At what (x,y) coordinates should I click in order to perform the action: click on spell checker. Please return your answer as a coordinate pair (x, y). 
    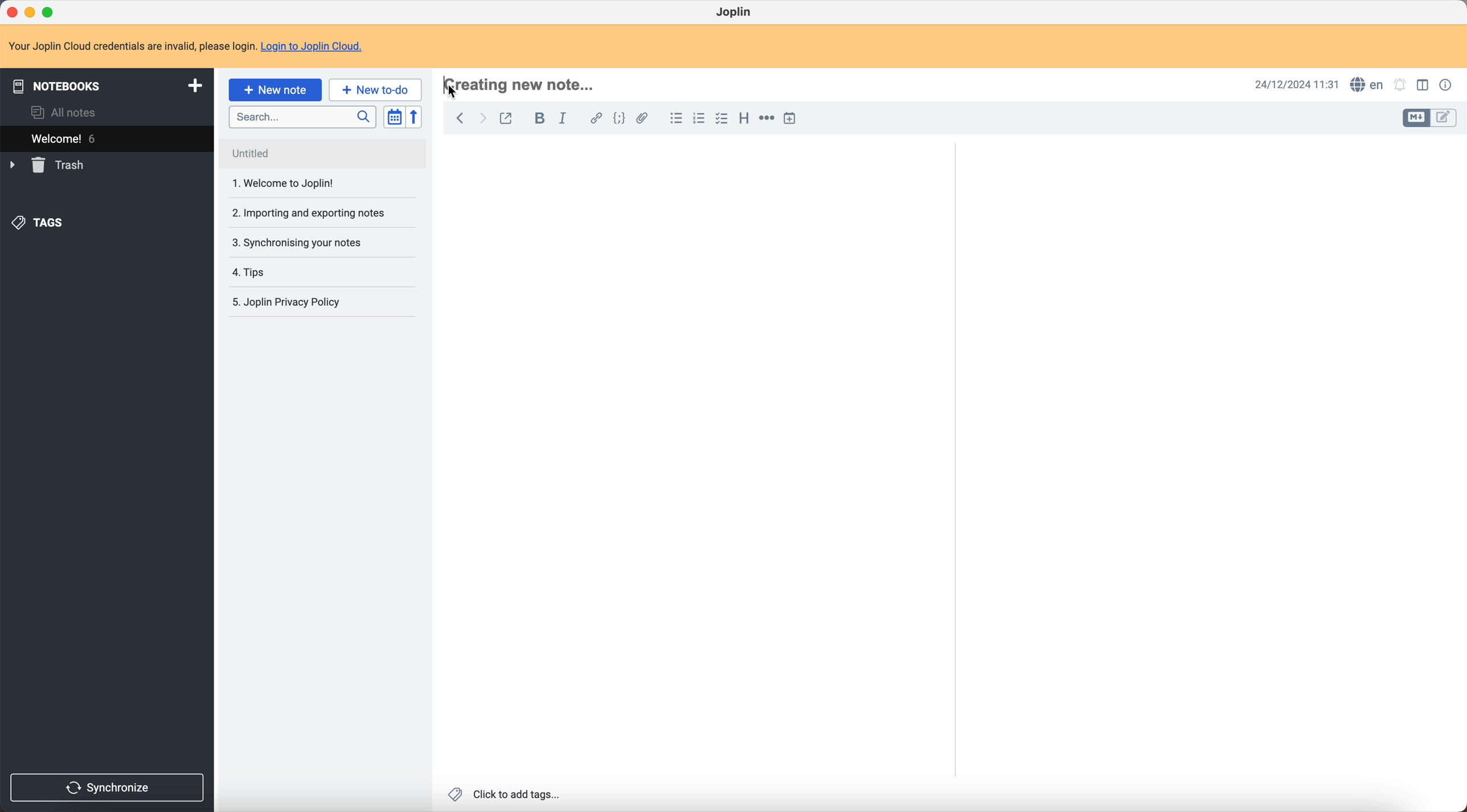
    Looking at the image, I should click on (1366, 85).